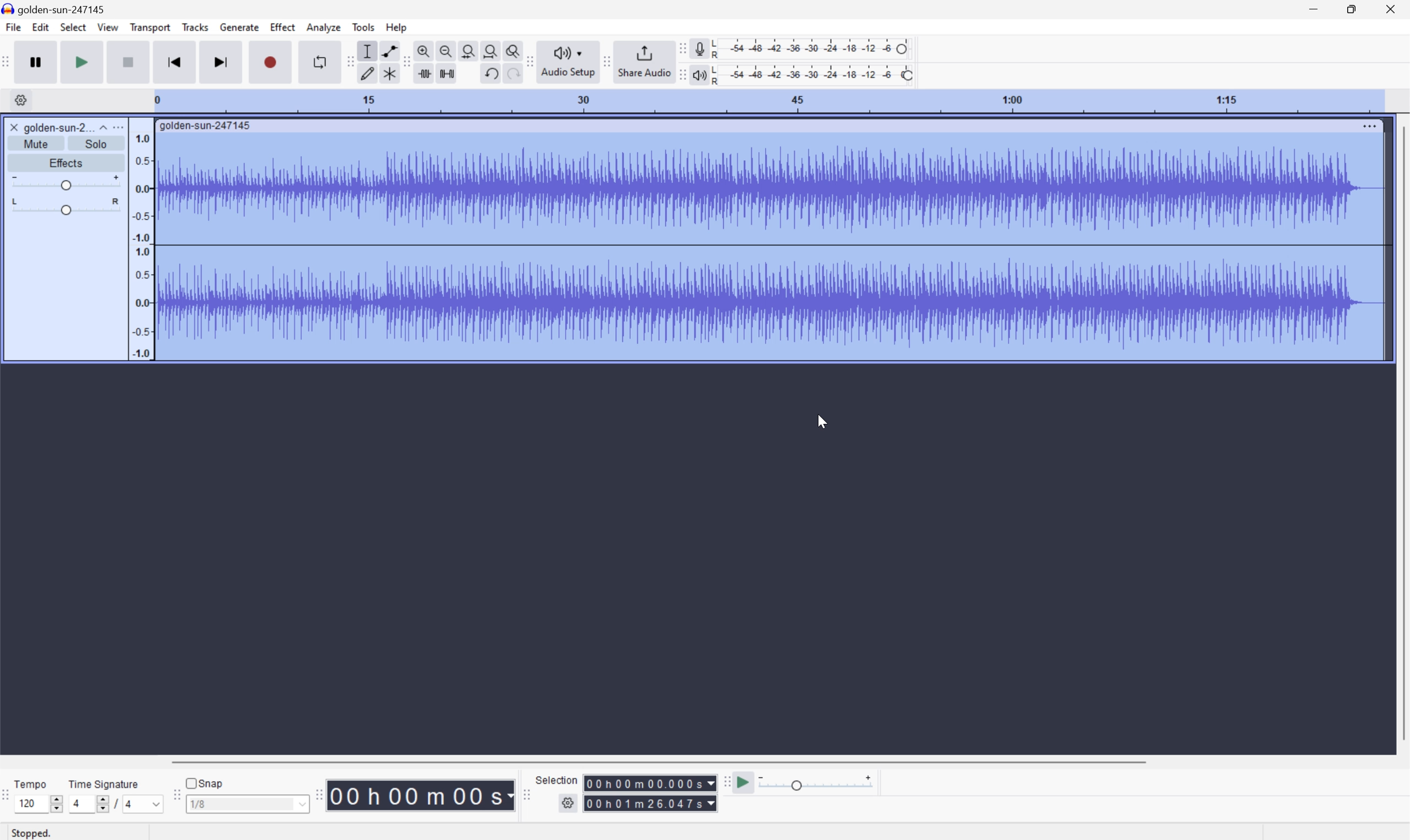 The width and height of the screenshot is (1410, 840). What do you see at coordinates (426, 50) in the screenshot?
I see `Zoom in` at bounding box center [426, 50].